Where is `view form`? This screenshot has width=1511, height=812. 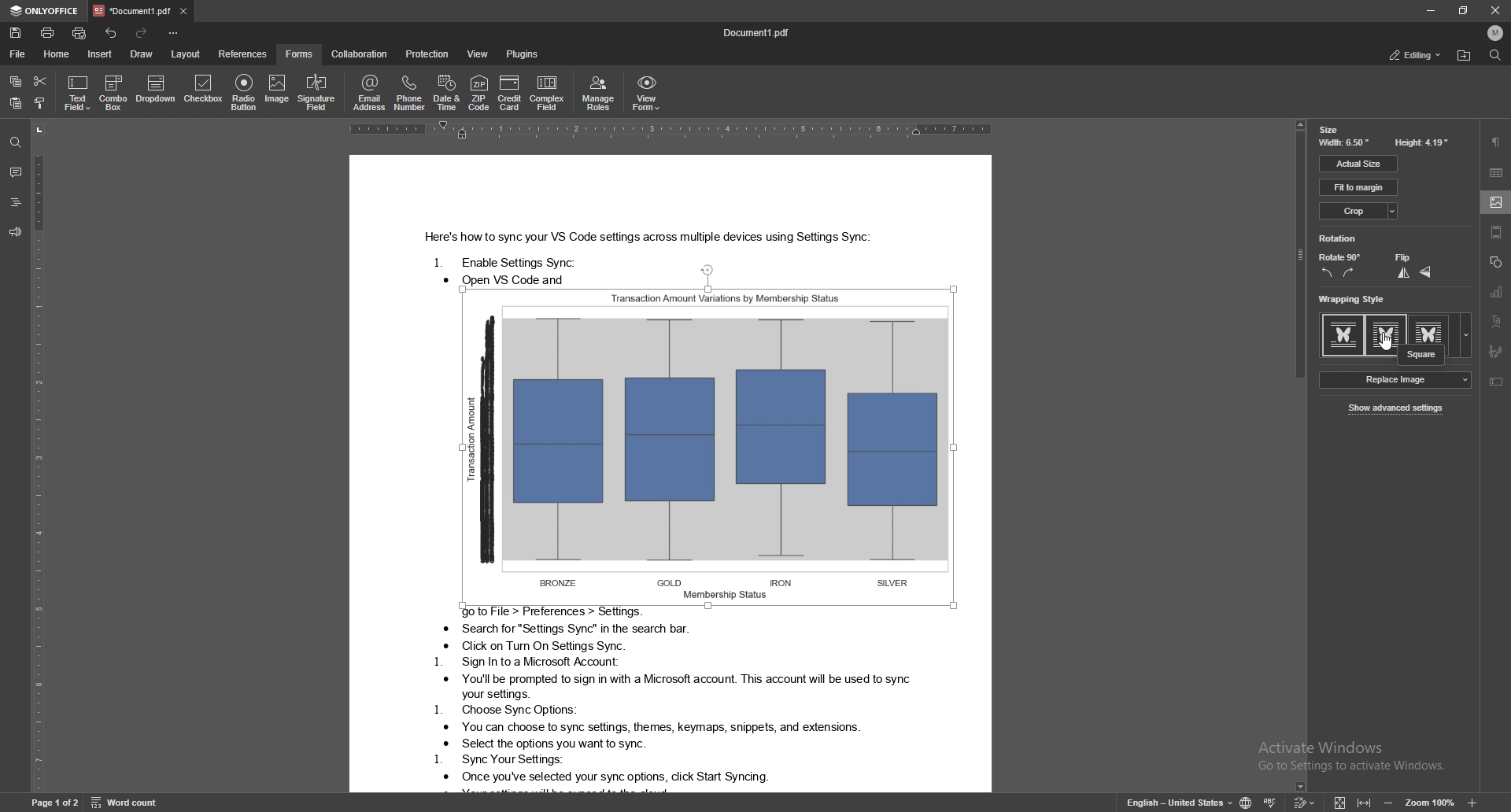
view form is located at coordinates (648, 92).